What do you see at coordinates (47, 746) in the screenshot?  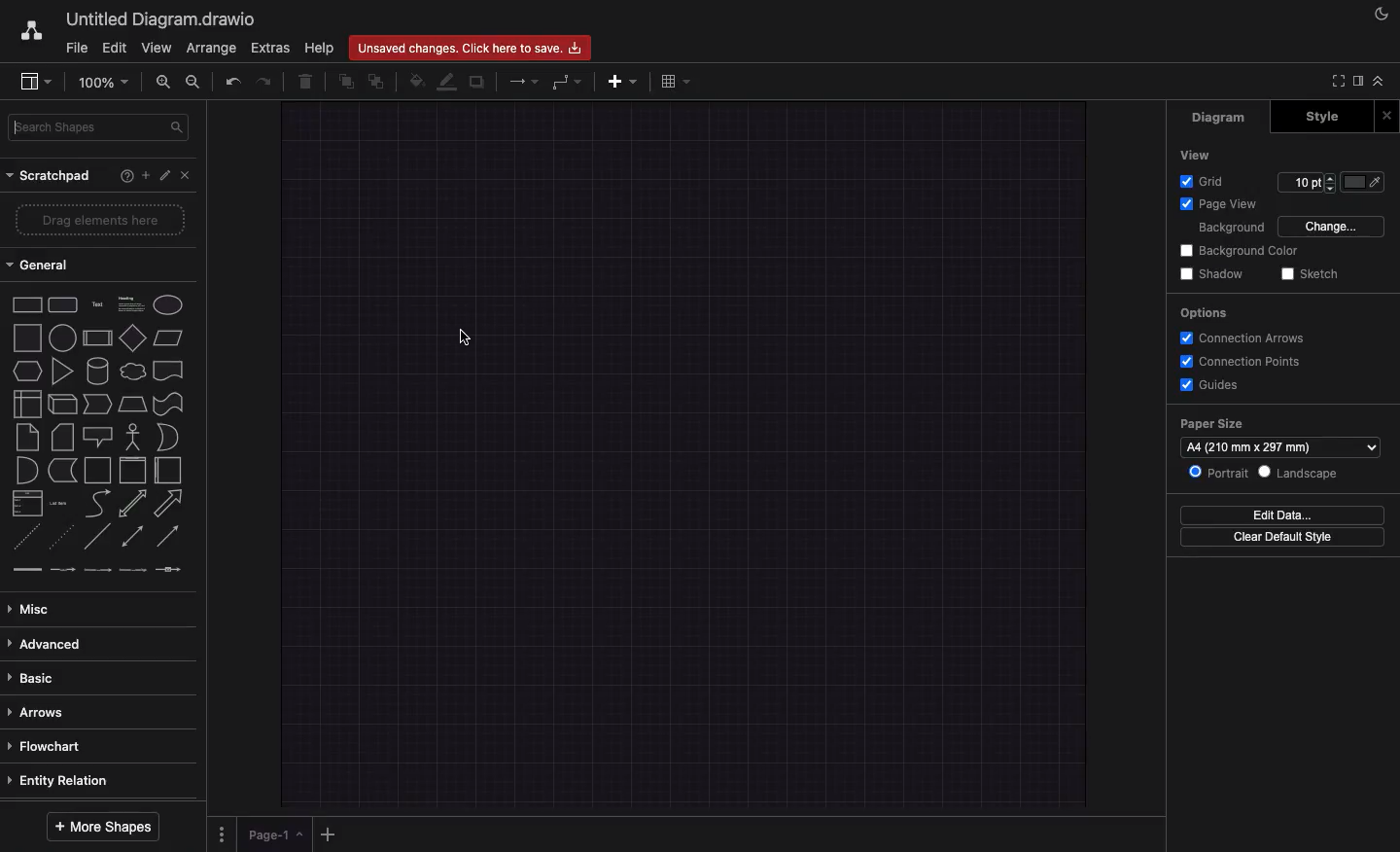 I see `Flowchart` at bounding box center [47, 746].